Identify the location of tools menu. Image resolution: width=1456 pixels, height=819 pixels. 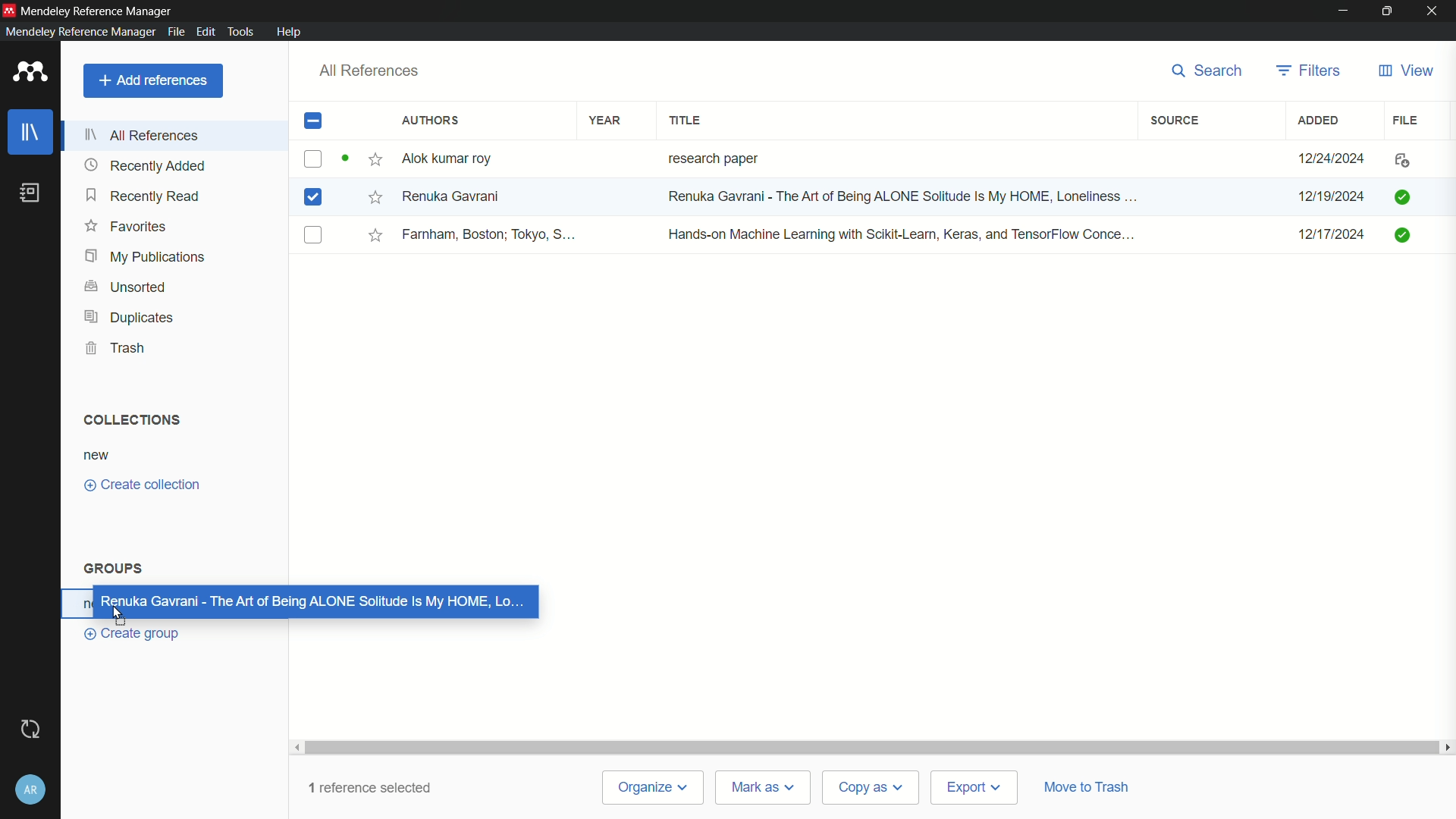
(240, 31).